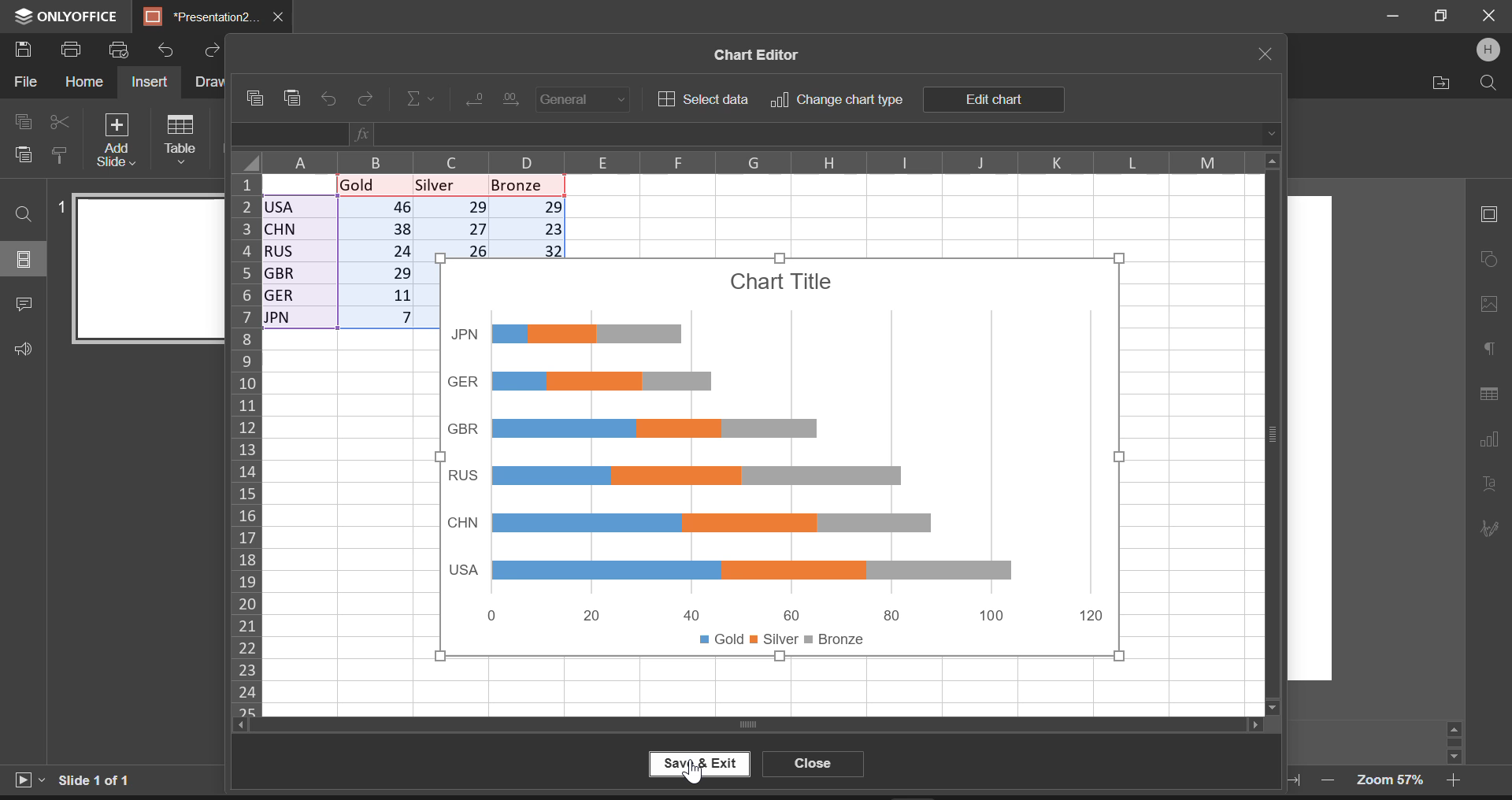 The image size is (1512, 800). What do you see at coordinates (98, 780) in the screenshot?
I see `Slide 1 of 1` at bounding box center [98, 780].